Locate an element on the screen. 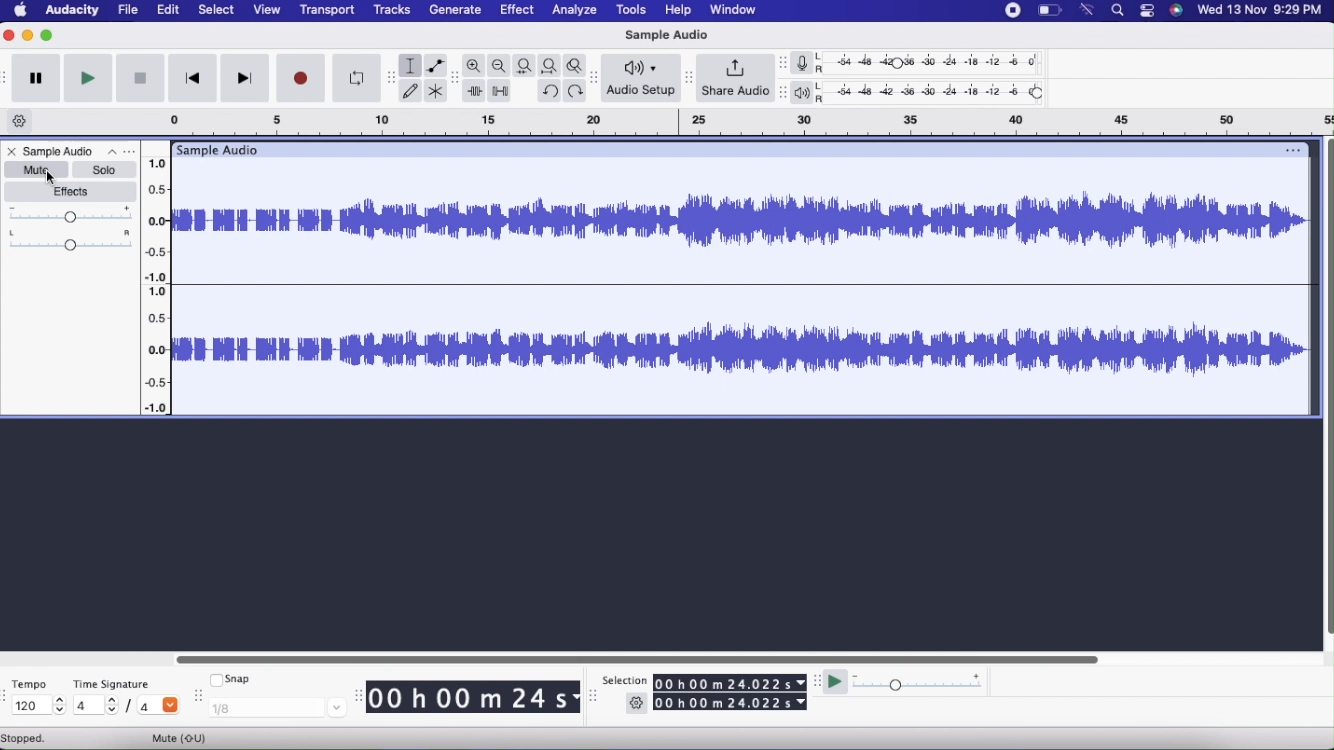 The image size is (1334, 750). Undo is located at coordinates (550, 91).